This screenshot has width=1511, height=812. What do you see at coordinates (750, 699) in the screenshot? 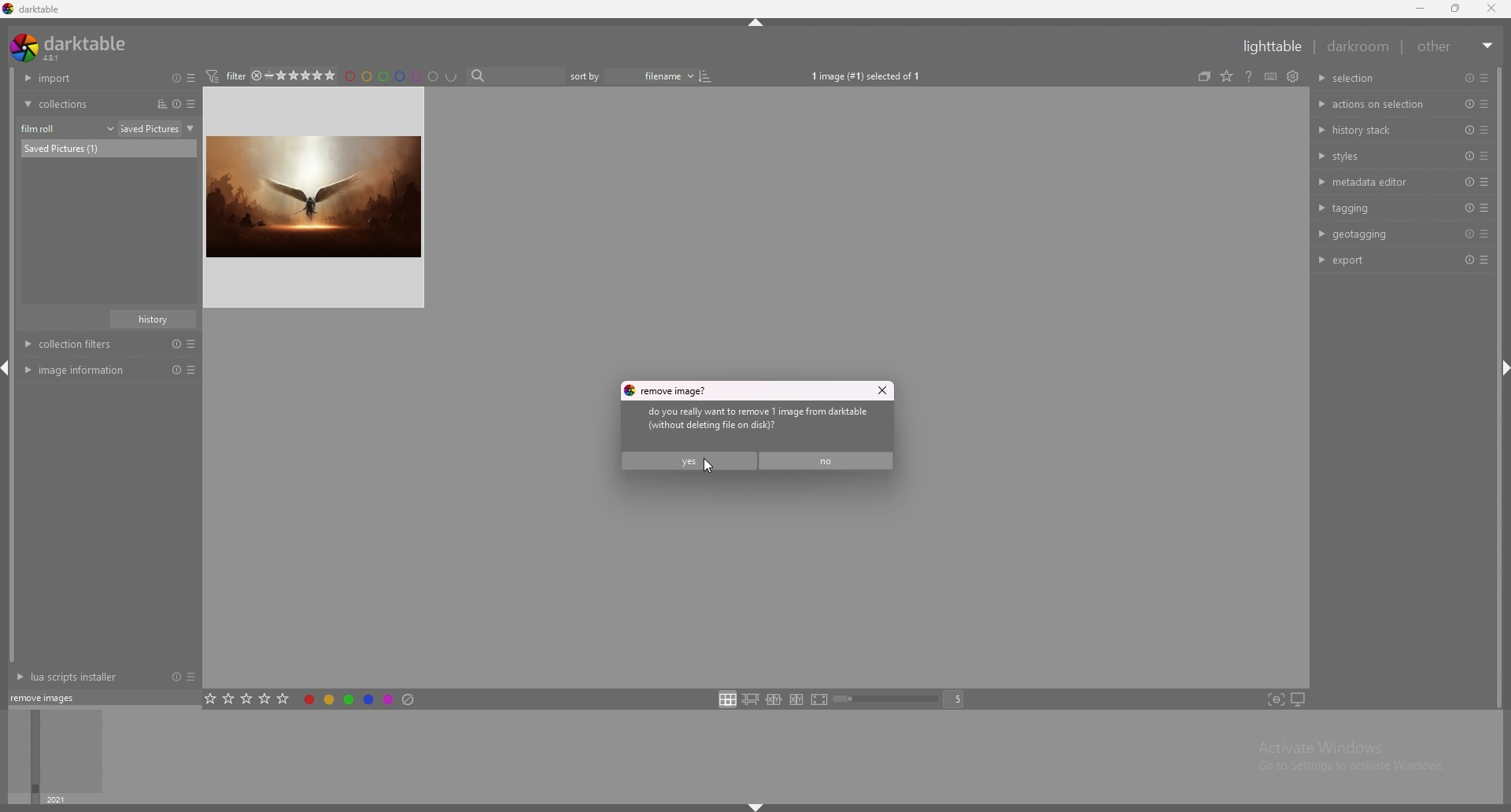
I see `zoomable lighttable layout` at bounding box center [750, 699].